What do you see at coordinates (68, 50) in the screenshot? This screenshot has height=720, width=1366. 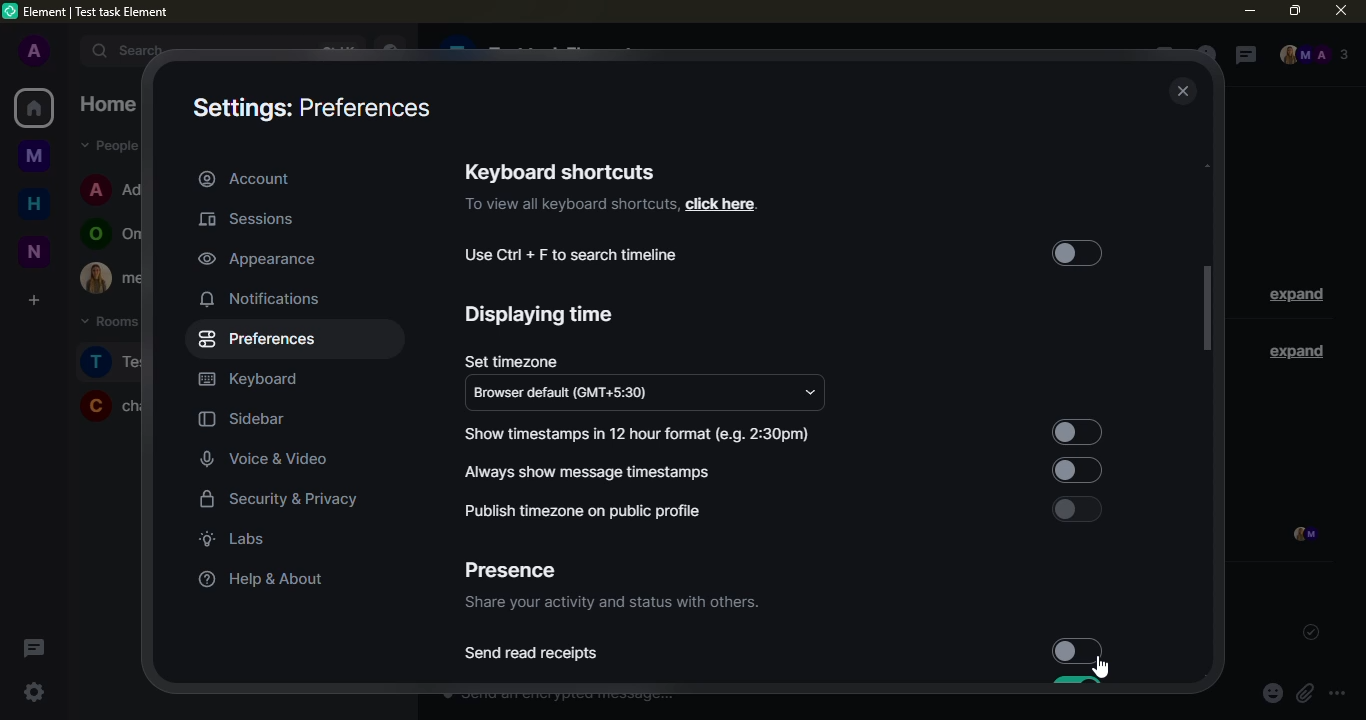 I see `expand` at bounding box center [68, 50].